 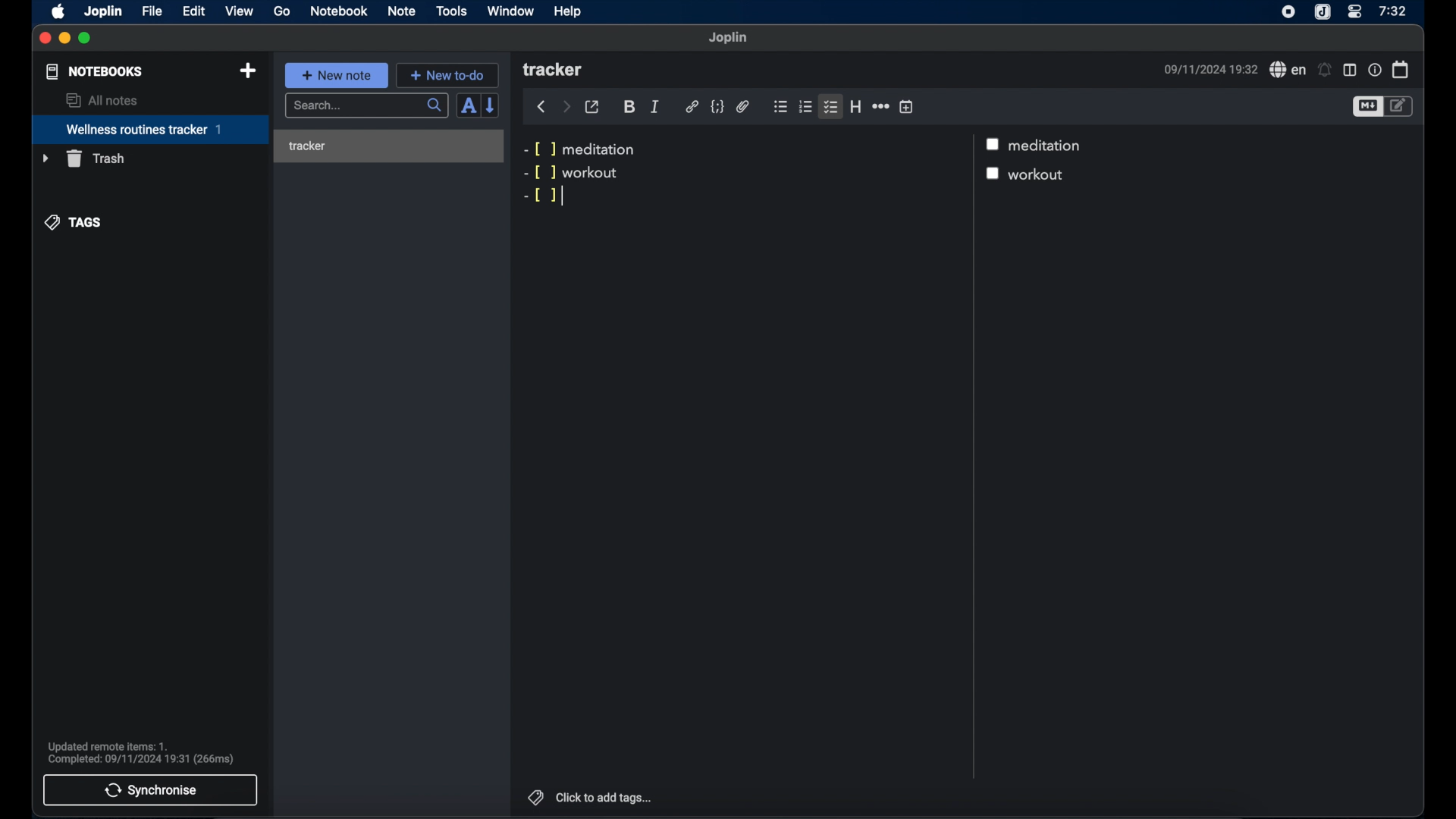 What do you see at coordinates (447, 74) in the screenshot?
I see `+ new to-do` at bounding box center [447, 74].